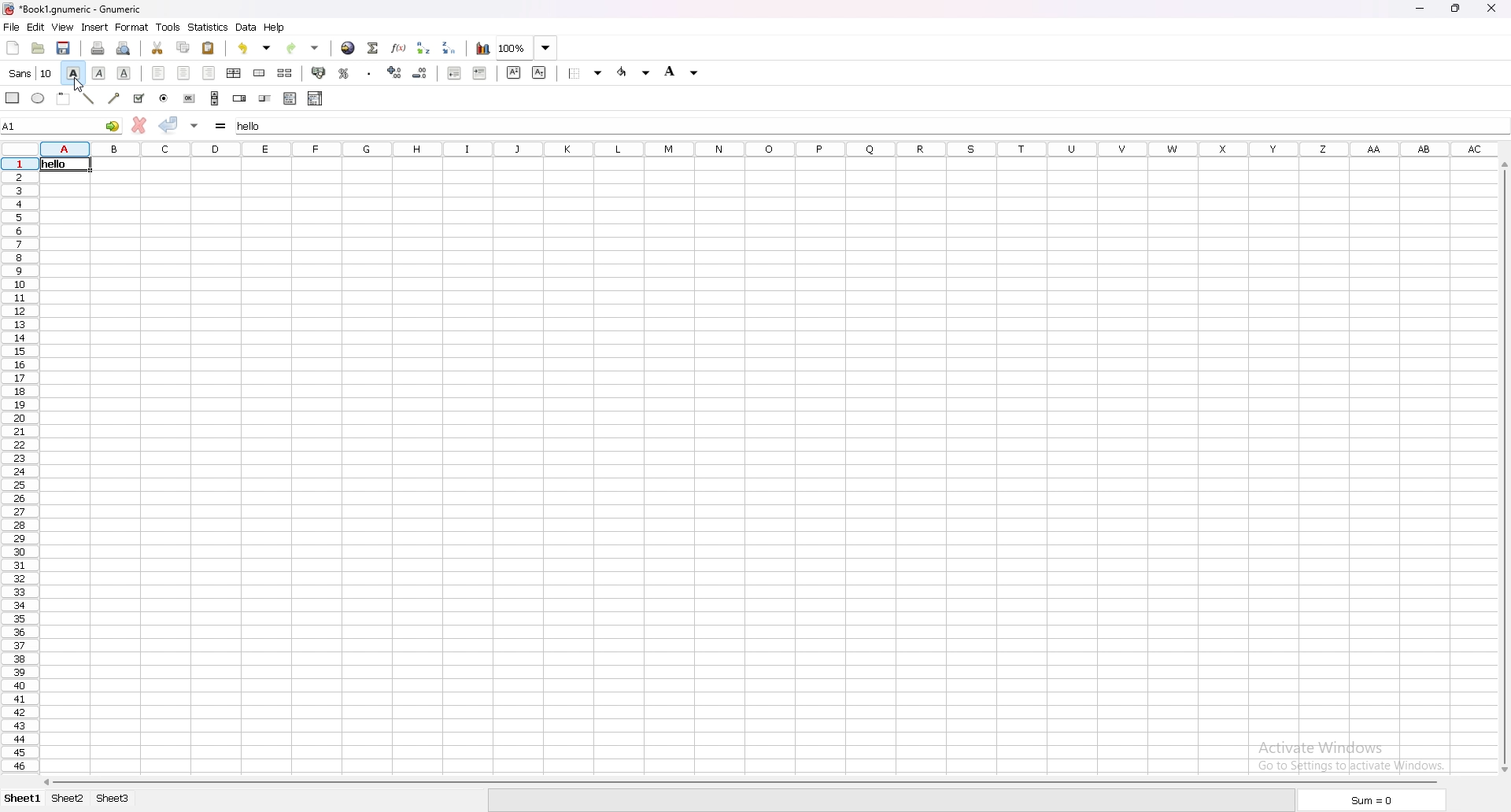 This screenshot has width=1511, height=812. Describe the element at coordinates (39, 49) in the screenshot. I see `open` at that location.